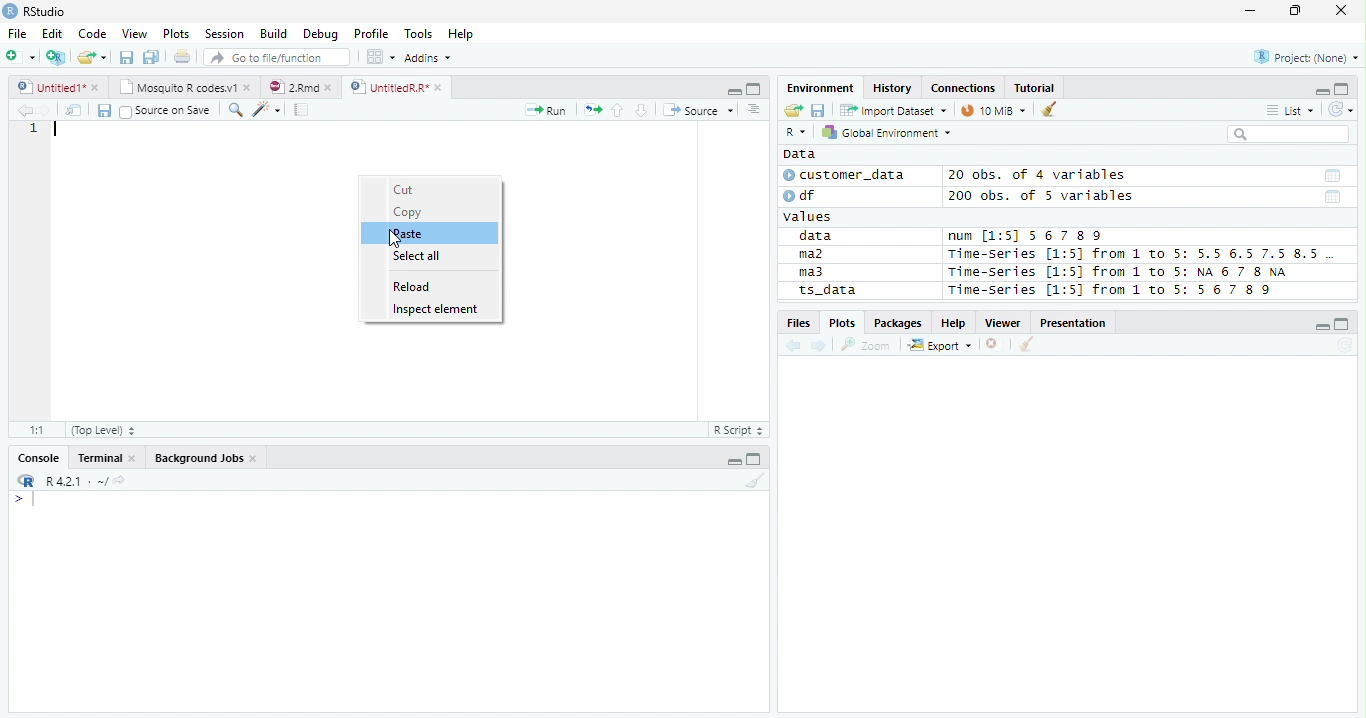 Image resolution: width=1366 pixels, height=718 pixels. Describe the element at coordinates (756, 460) in the screenshot. I see `Maximize` at that location.